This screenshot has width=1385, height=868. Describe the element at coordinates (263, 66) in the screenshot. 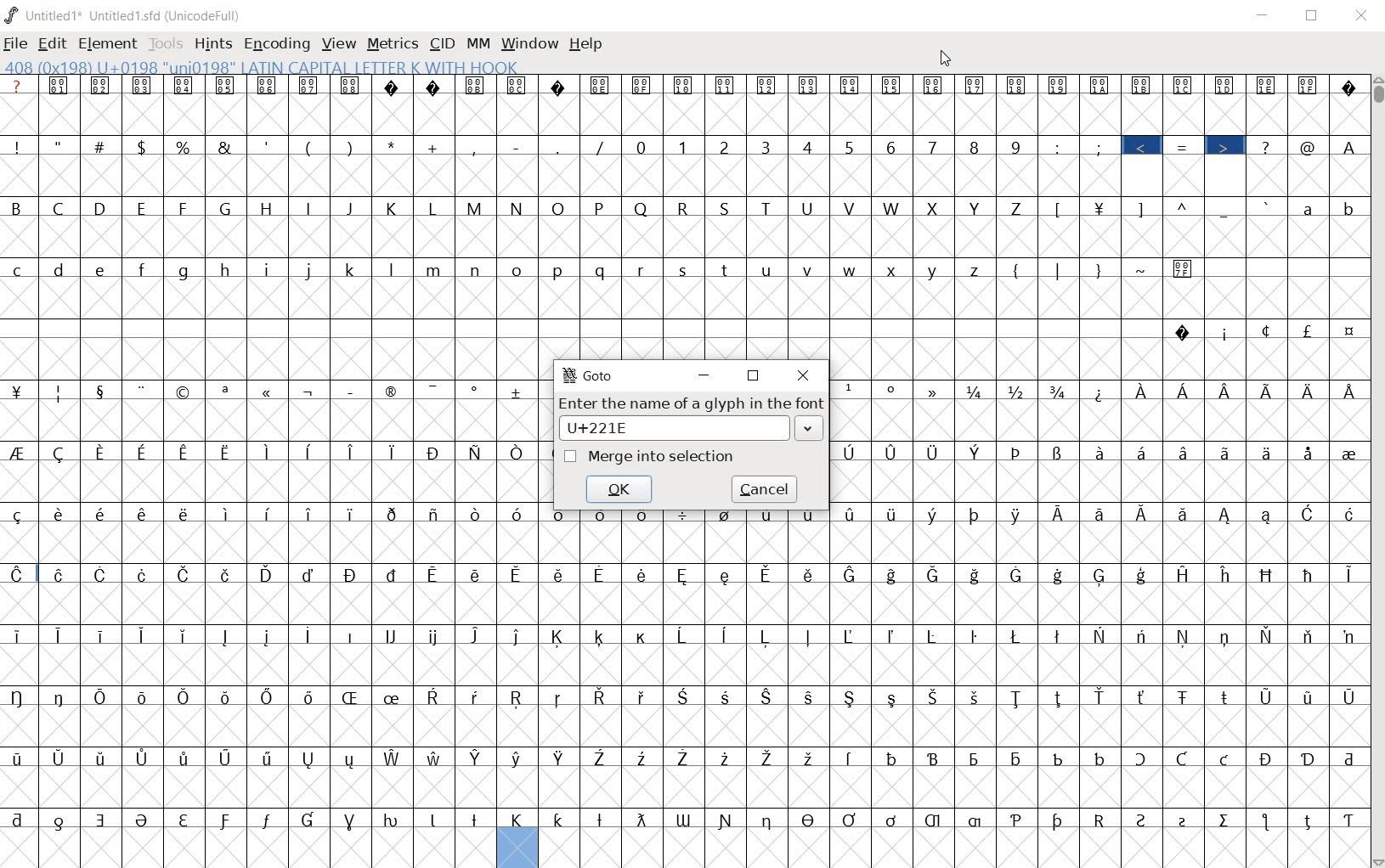

I see `408 (0x198) U+0198 "UNI0198" latin capital letter k with hook` at that location.